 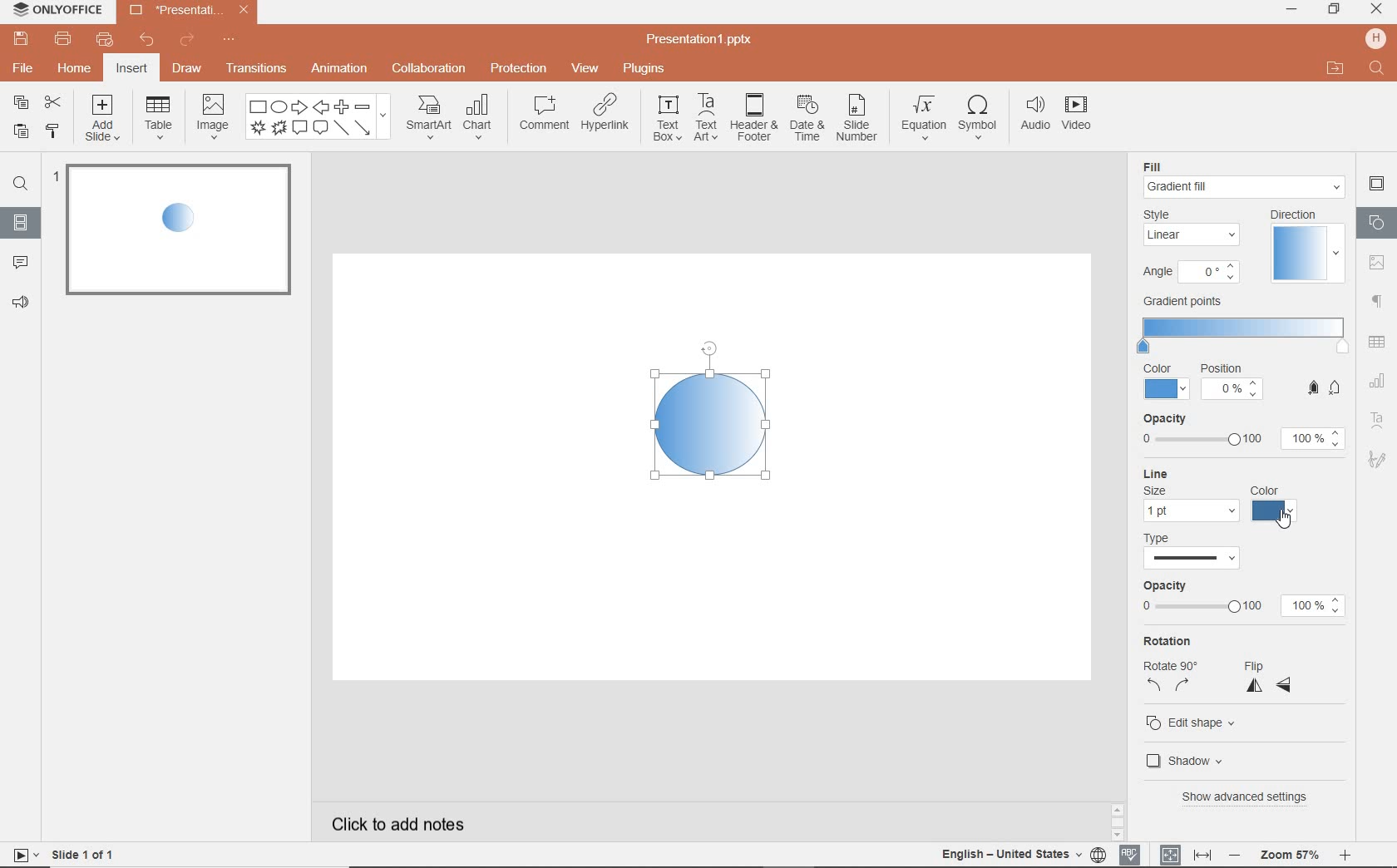 I want to click on copy style, so click(x=52, y=133).